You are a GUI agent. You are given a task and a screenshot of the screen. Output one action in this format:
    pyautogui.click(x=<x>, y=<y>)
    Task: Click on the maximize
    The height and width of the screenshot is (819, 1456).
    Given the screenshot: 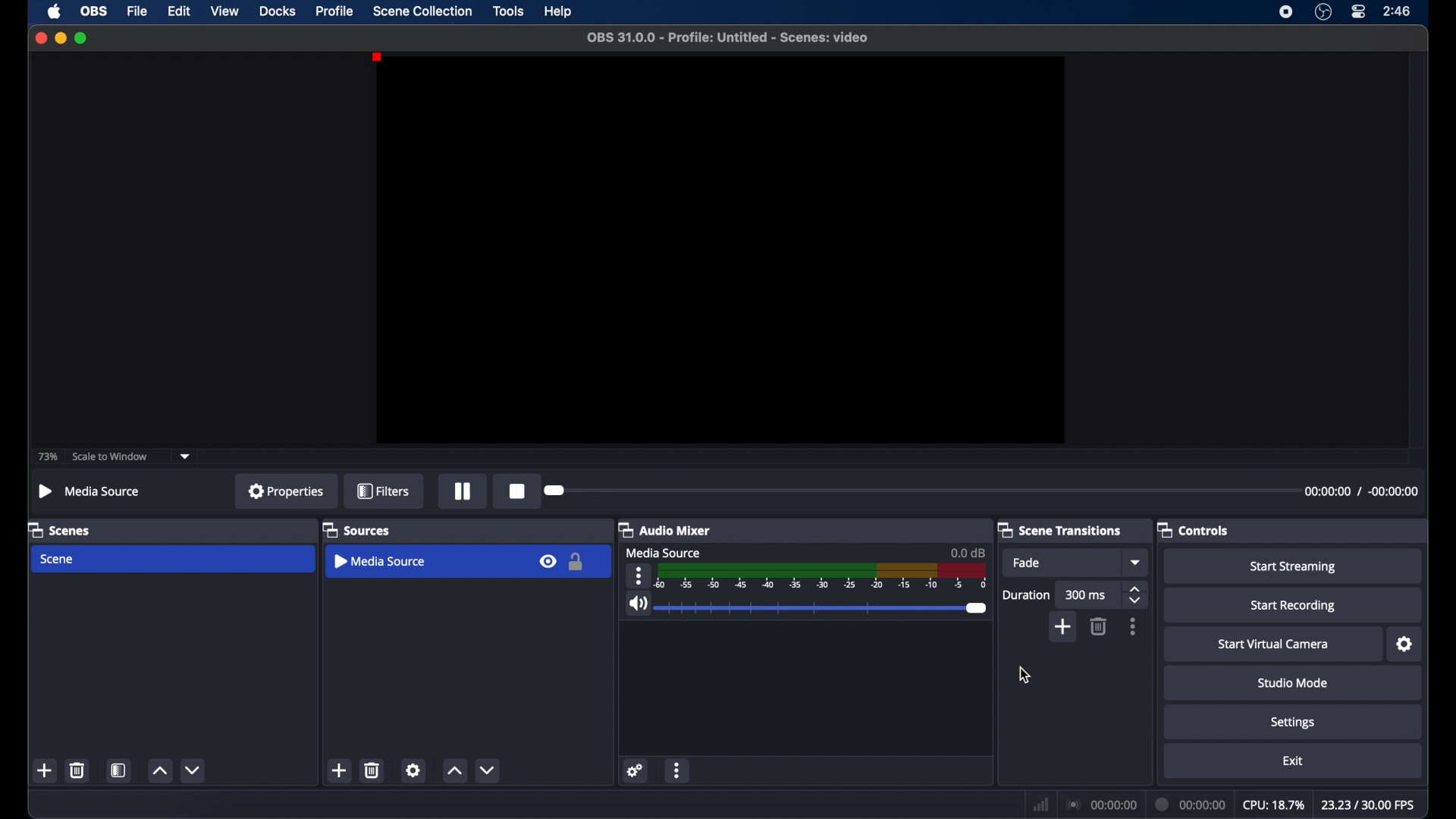 What is the action you would take?
    pyautogui.click(x=82, y=39)
    